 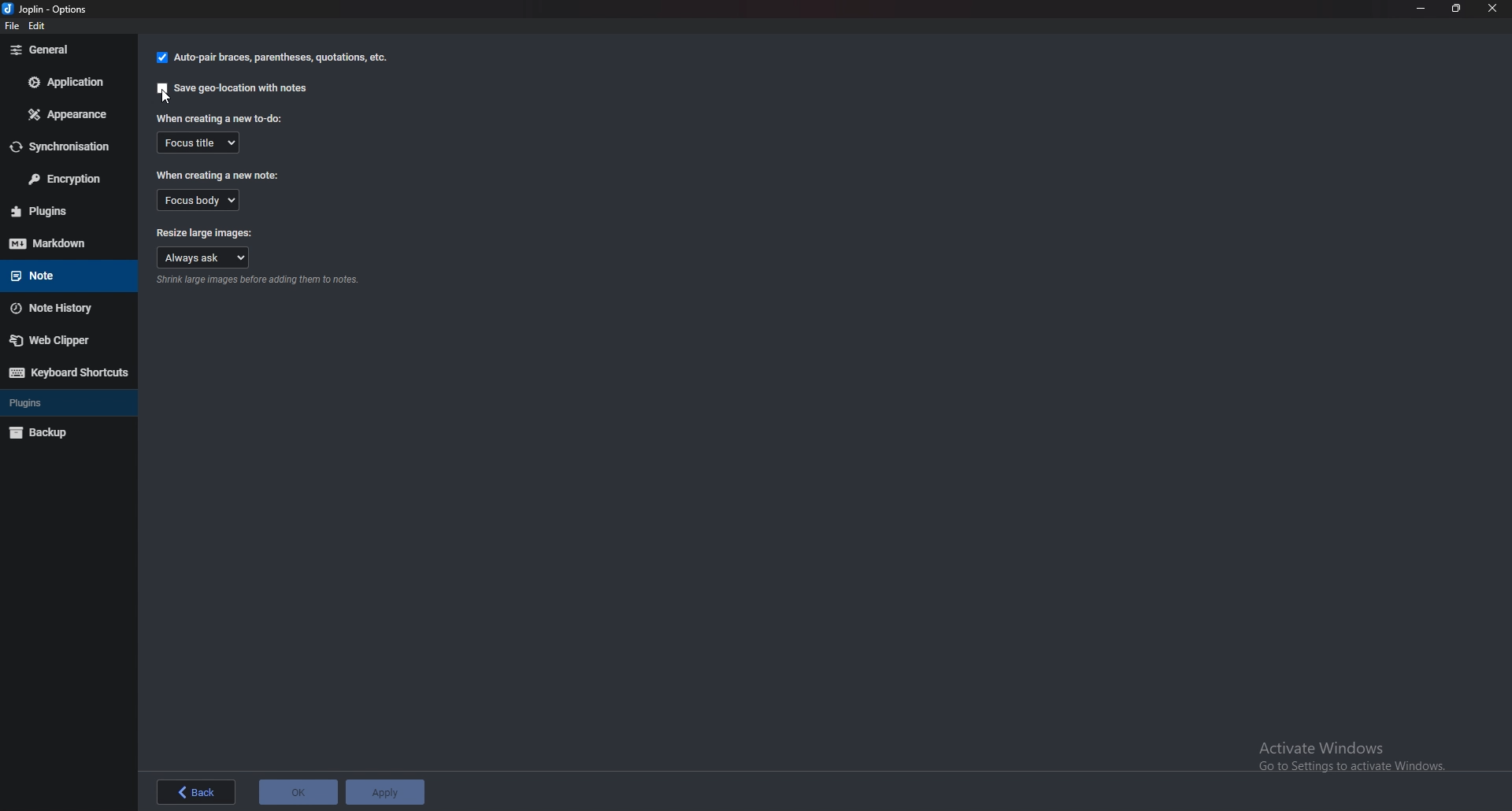 I want to click on Always ask, so click(x=206, y=257).